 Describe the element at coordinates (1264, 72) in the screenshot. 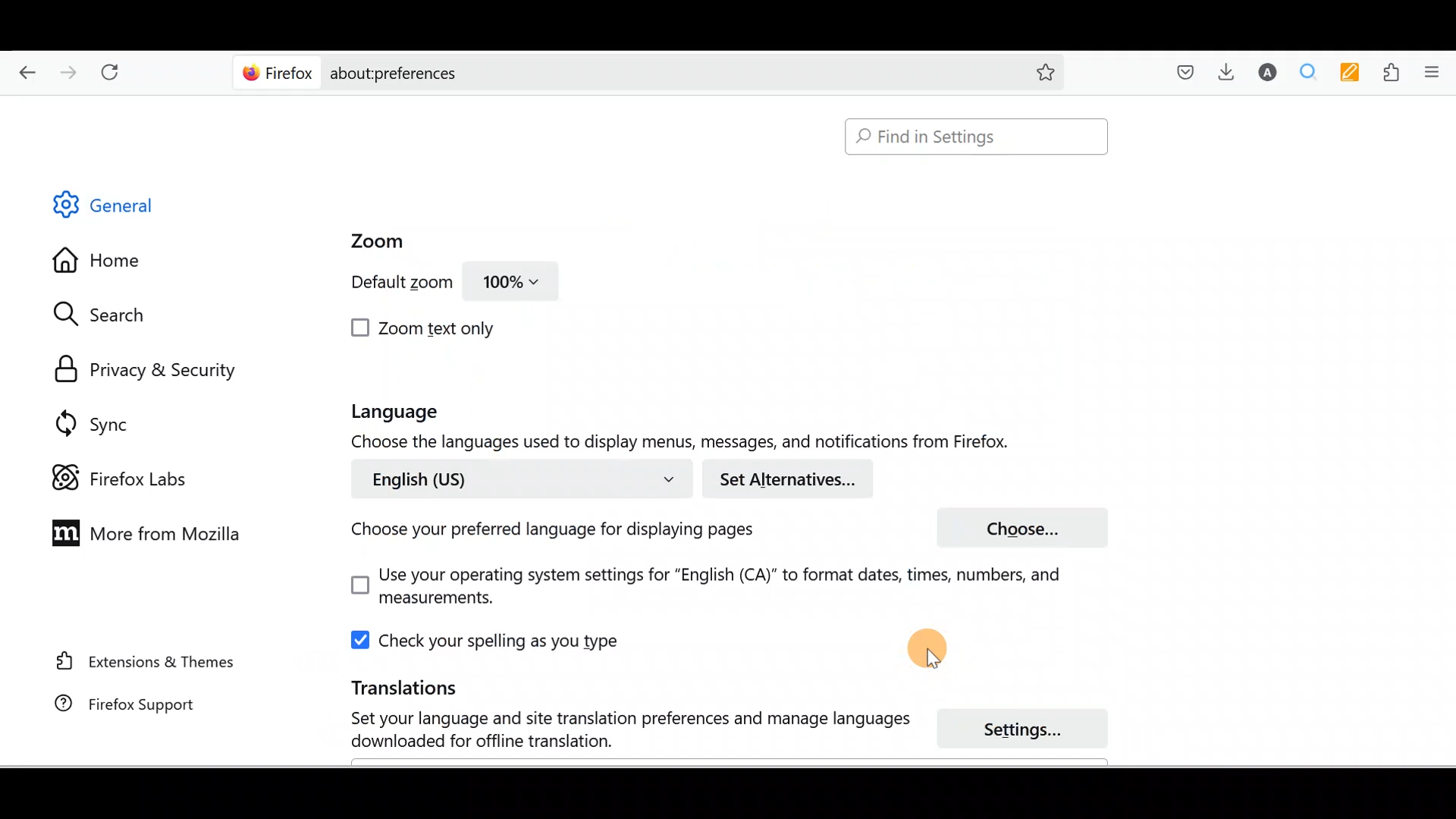

I see `Account` at that location.